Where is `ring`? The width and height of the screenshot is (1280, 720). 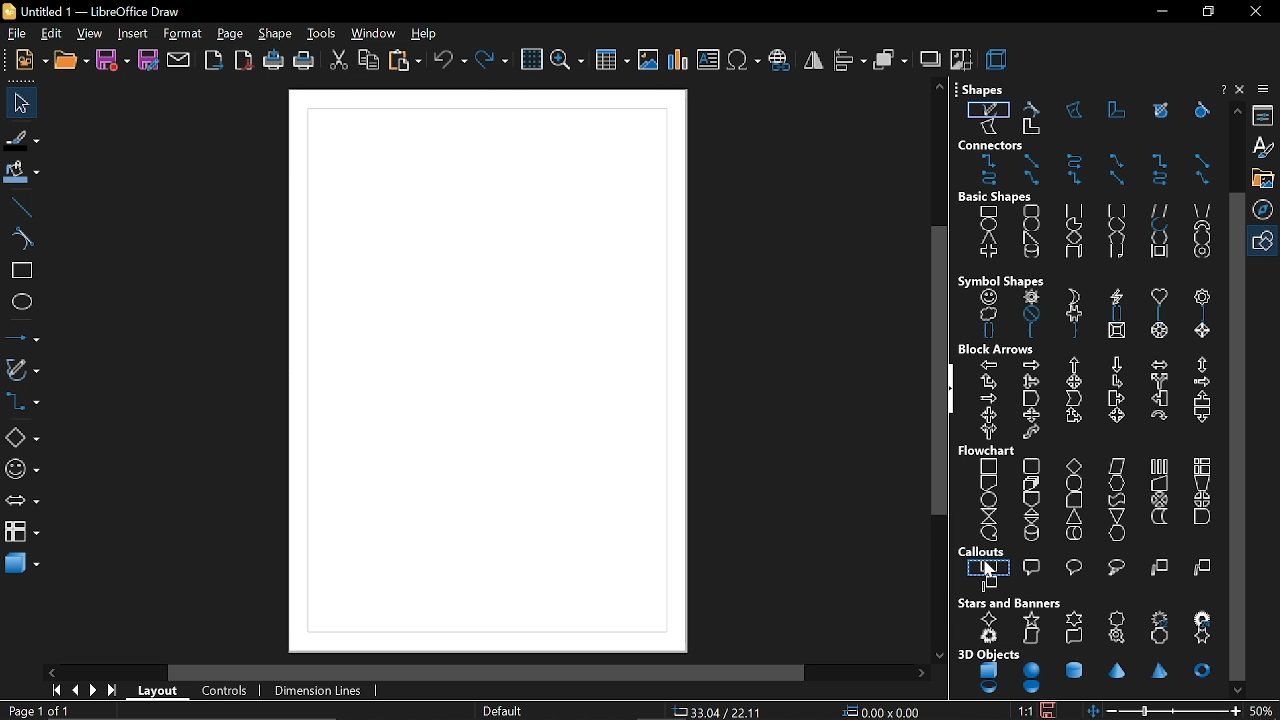
ring is located at coordinates (1202, 256).